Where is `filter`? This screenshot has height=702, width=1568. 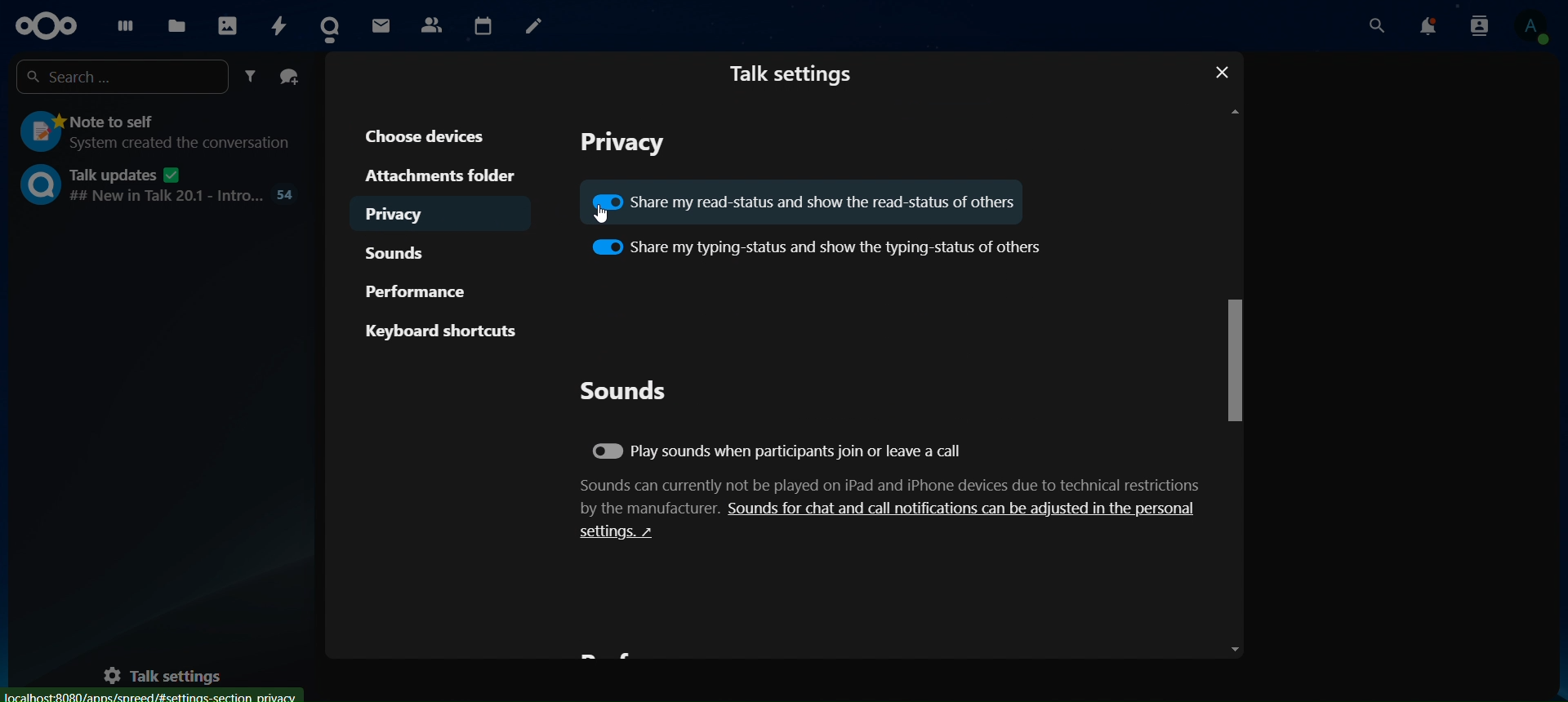 filter is located at coordinates (253, 77).